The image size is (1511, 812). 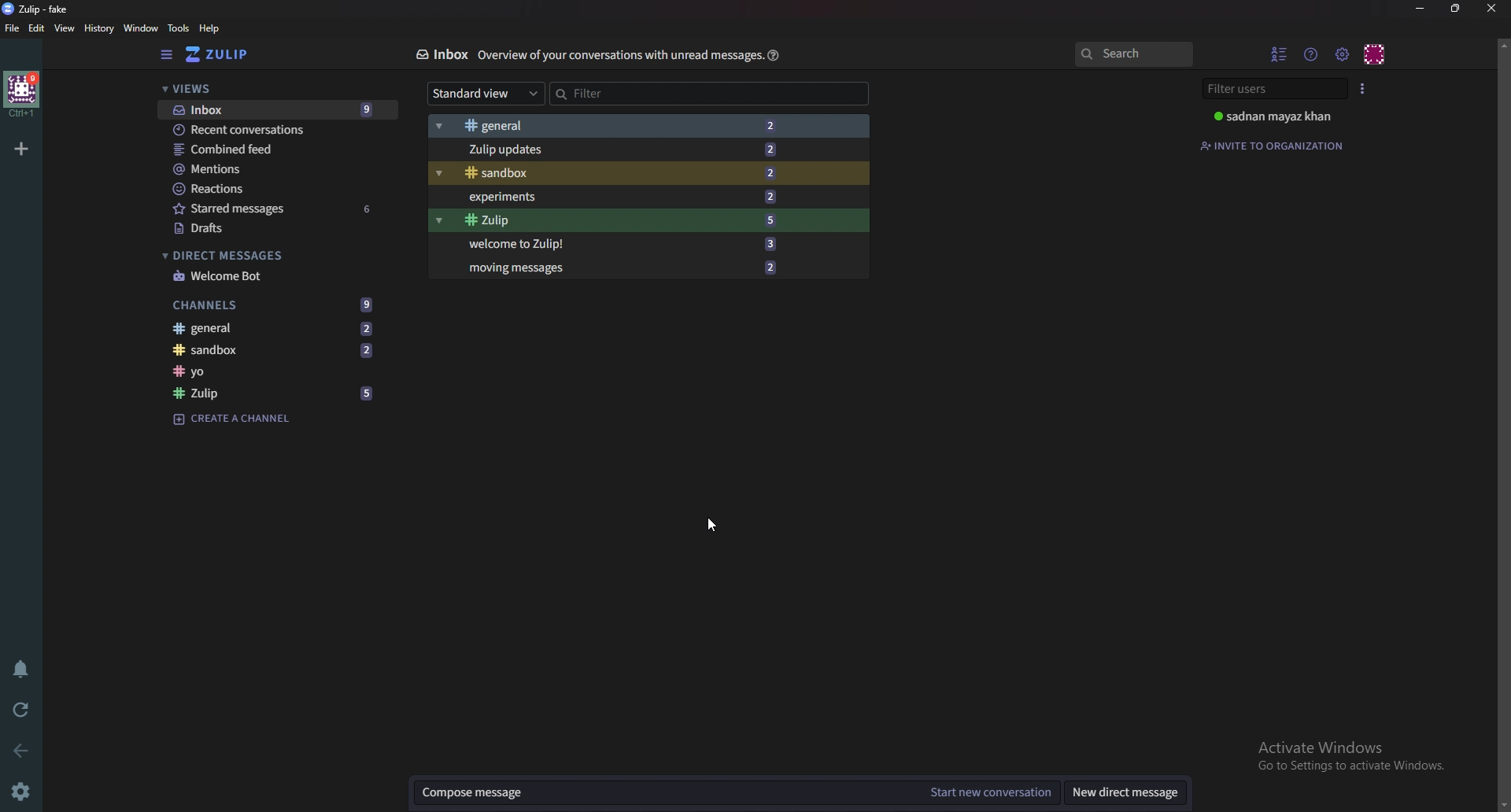 I want to click on Hide sidebar, so click(x=168, y=55).